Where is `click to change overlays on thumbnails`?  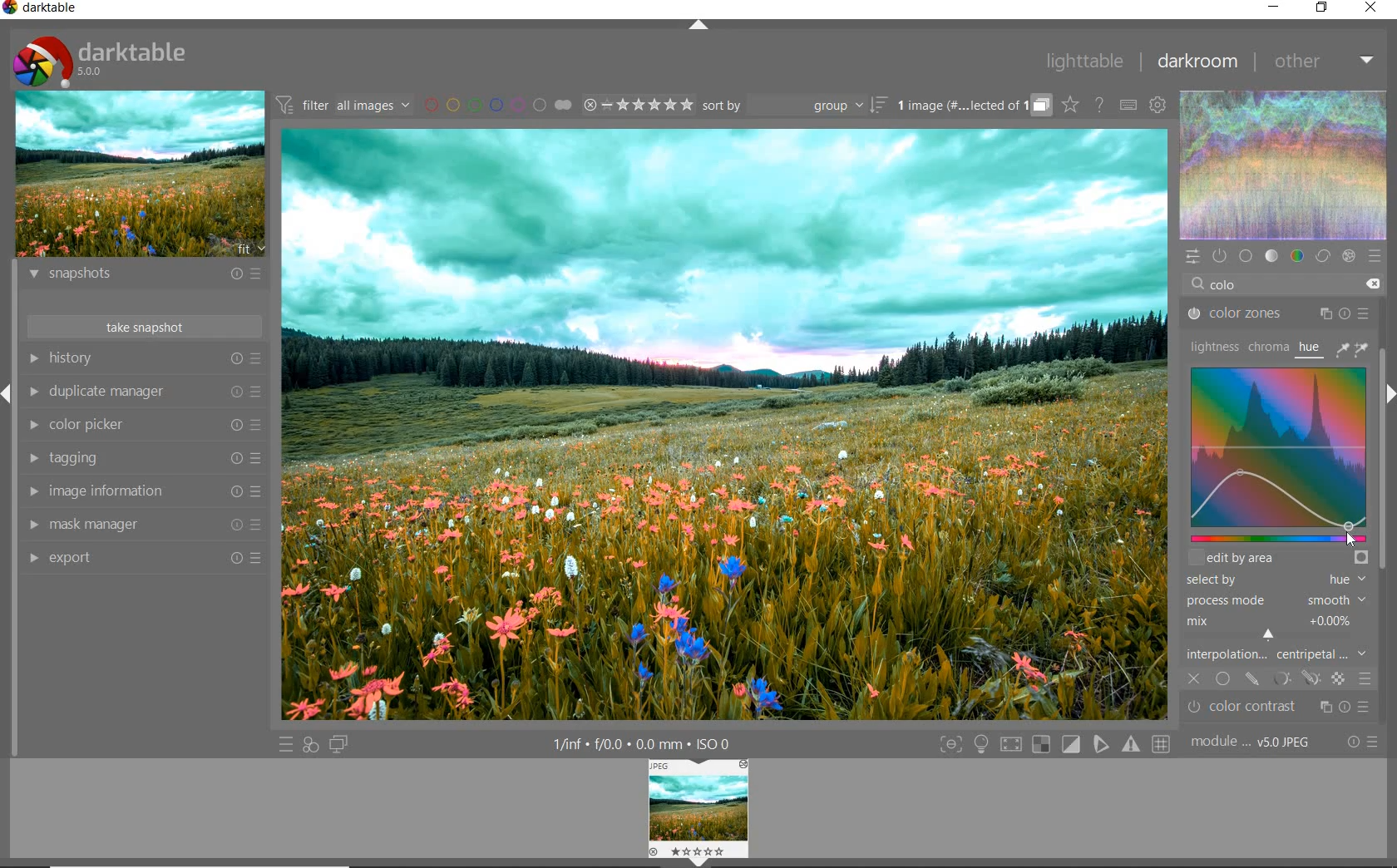
click to change overlays on thumbnails is located at coordinates (1069, 104).